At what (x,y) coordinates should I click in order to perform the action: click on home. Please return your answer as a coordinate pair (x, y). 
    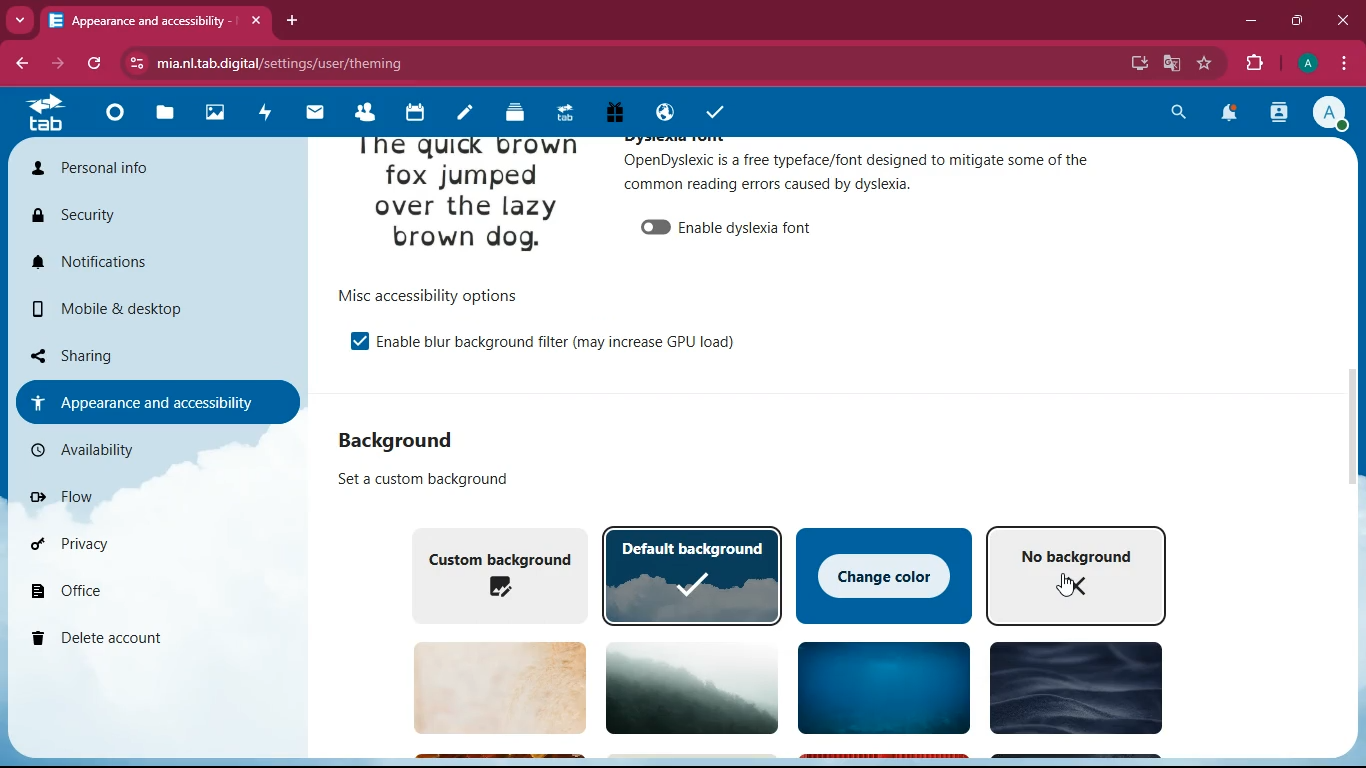
    Looking at the image, I should click on (112, 119).